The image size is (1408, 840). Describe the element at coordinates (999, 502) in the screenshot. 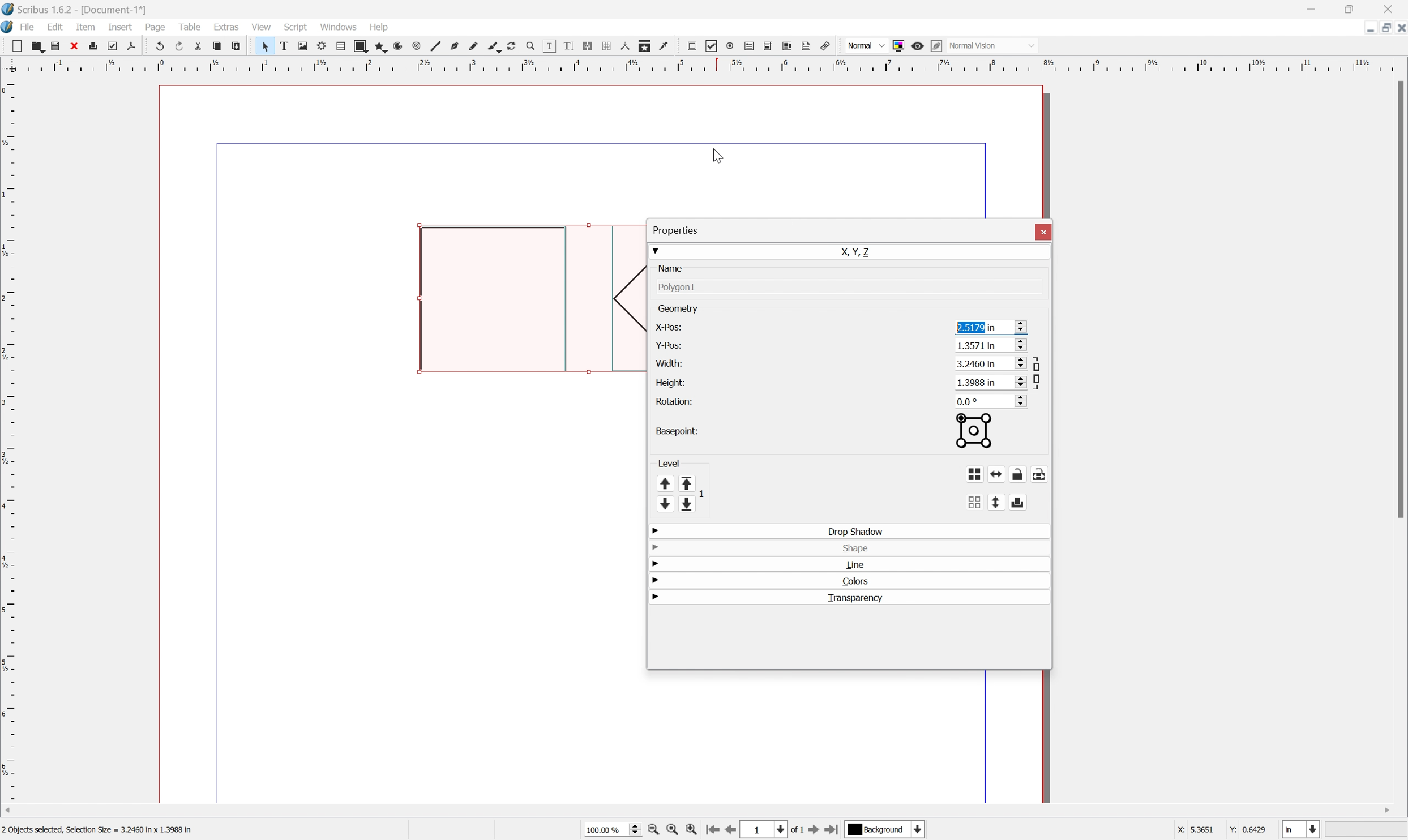

I see `flip vertically` at that location.